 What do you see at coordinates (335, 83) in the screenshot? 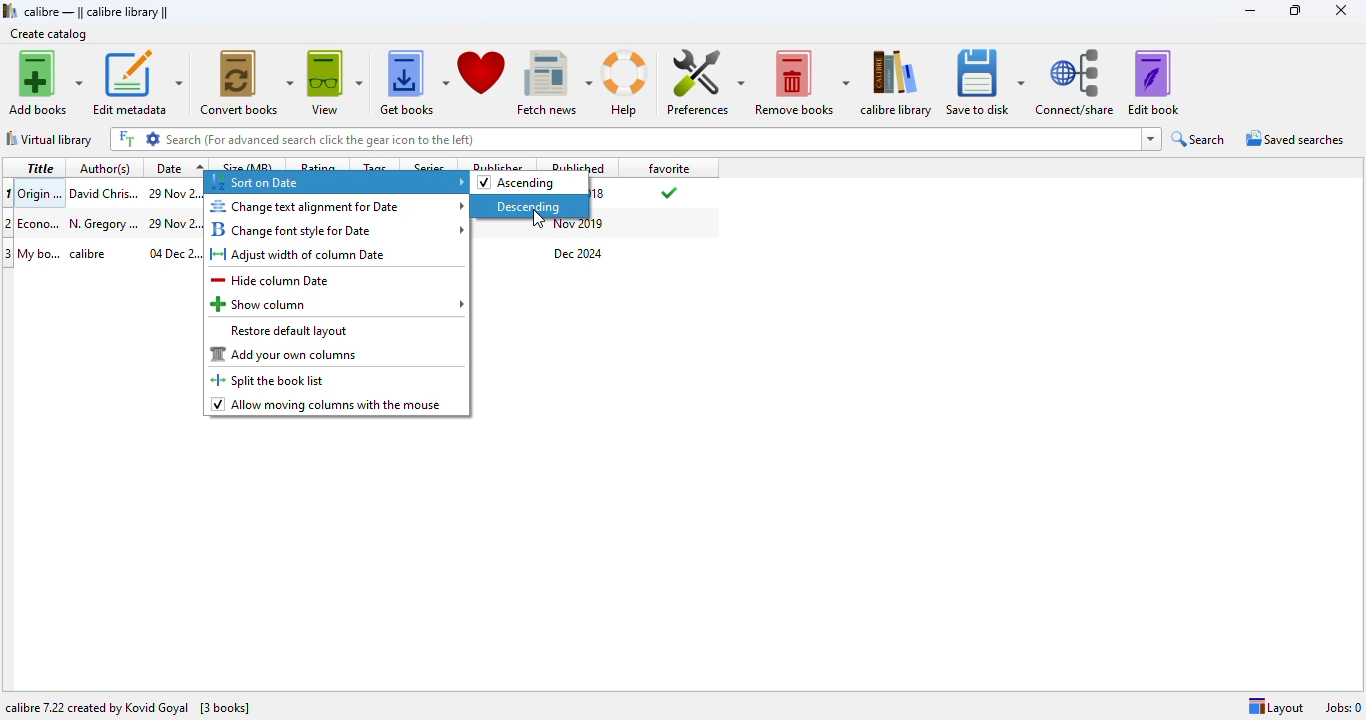
I see `view` at bounding box center [335, 83].